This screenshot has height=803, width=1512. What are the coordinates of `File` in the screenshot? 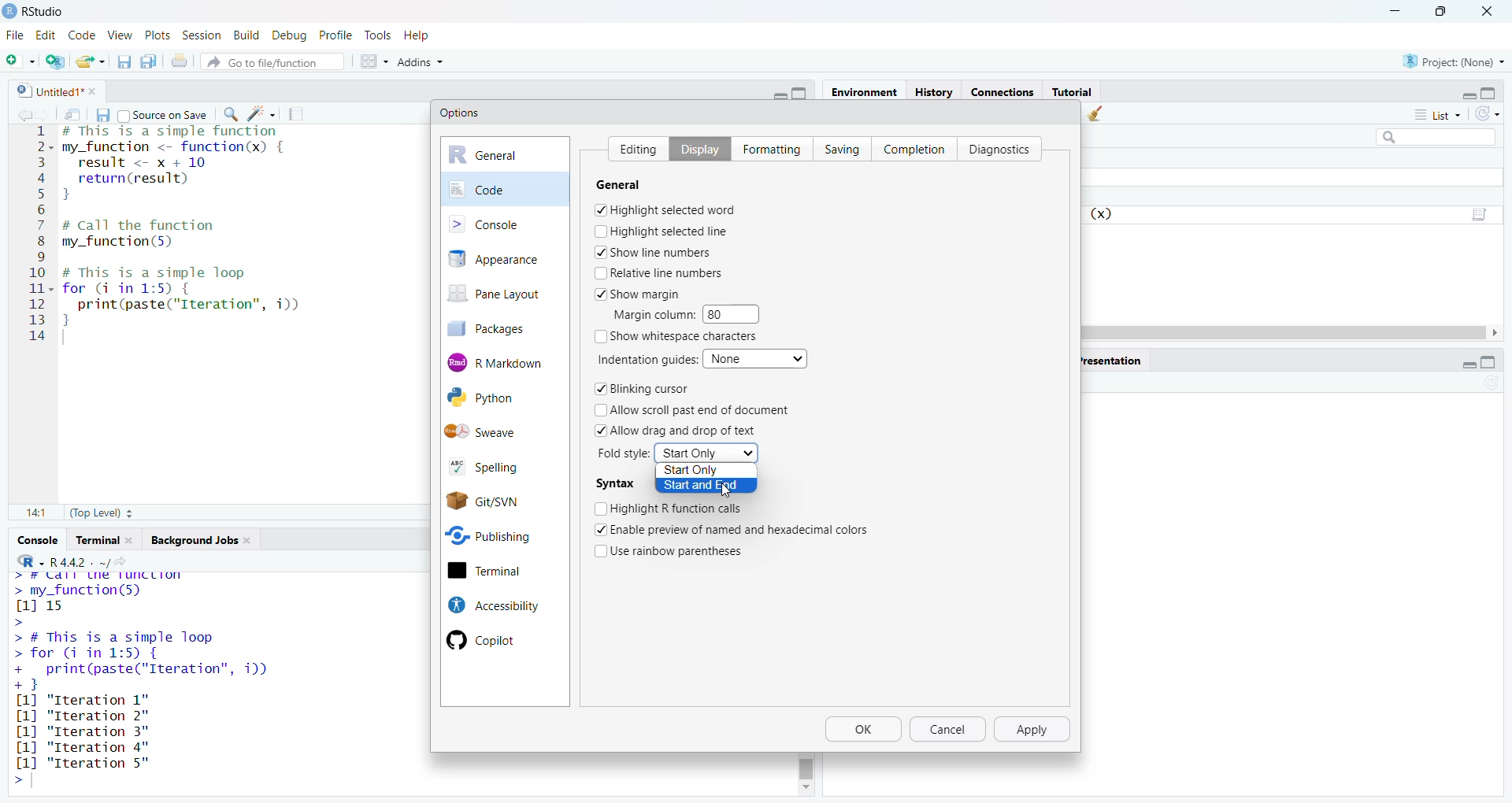 It's located at (15, 35).